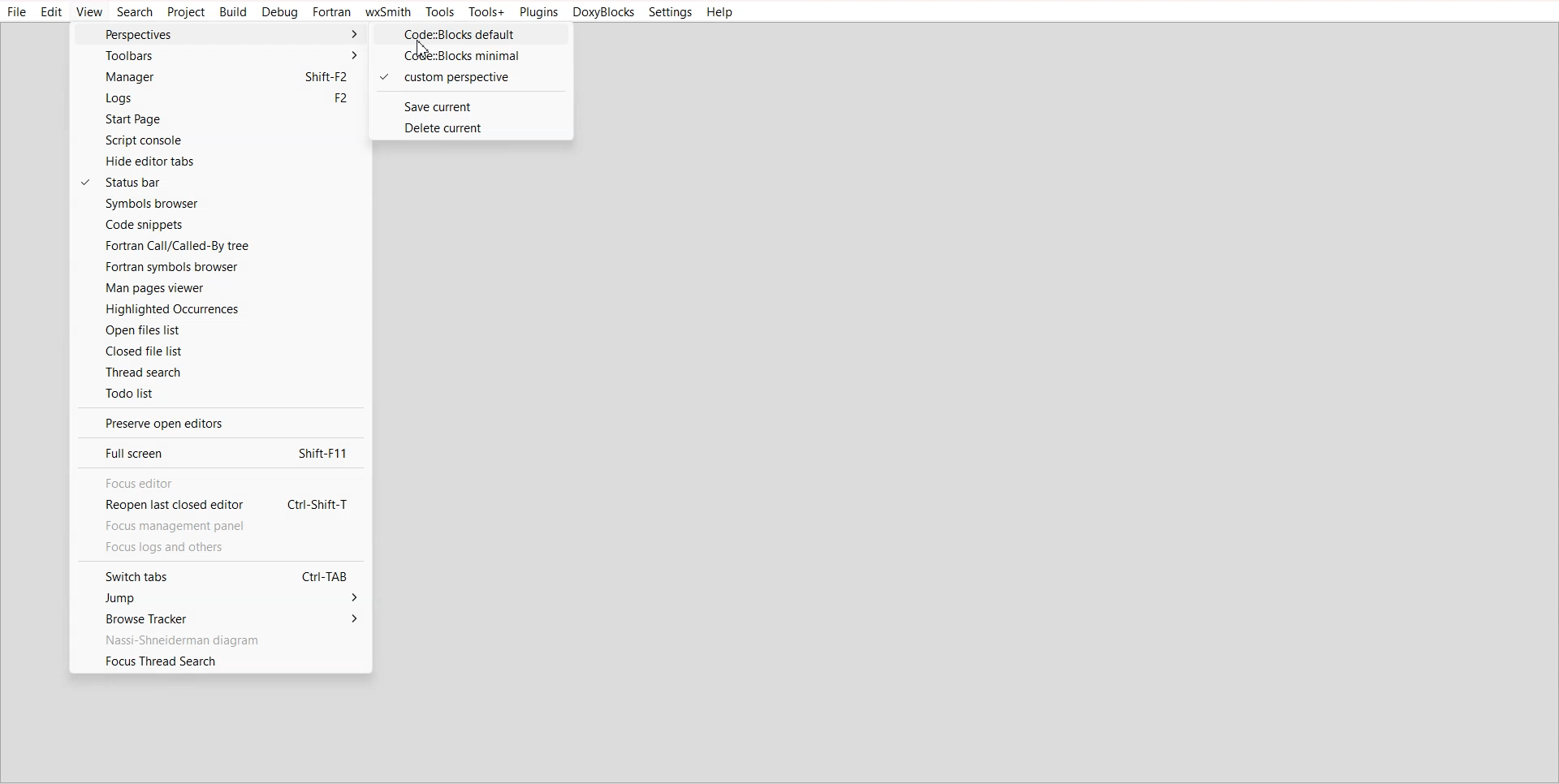 The width and height of the screenshot is (1559, 784). What do you see at coordinates (220, 161) in the screenshot?
I see `Hide editor tabs` at bounding box center [220, 161].